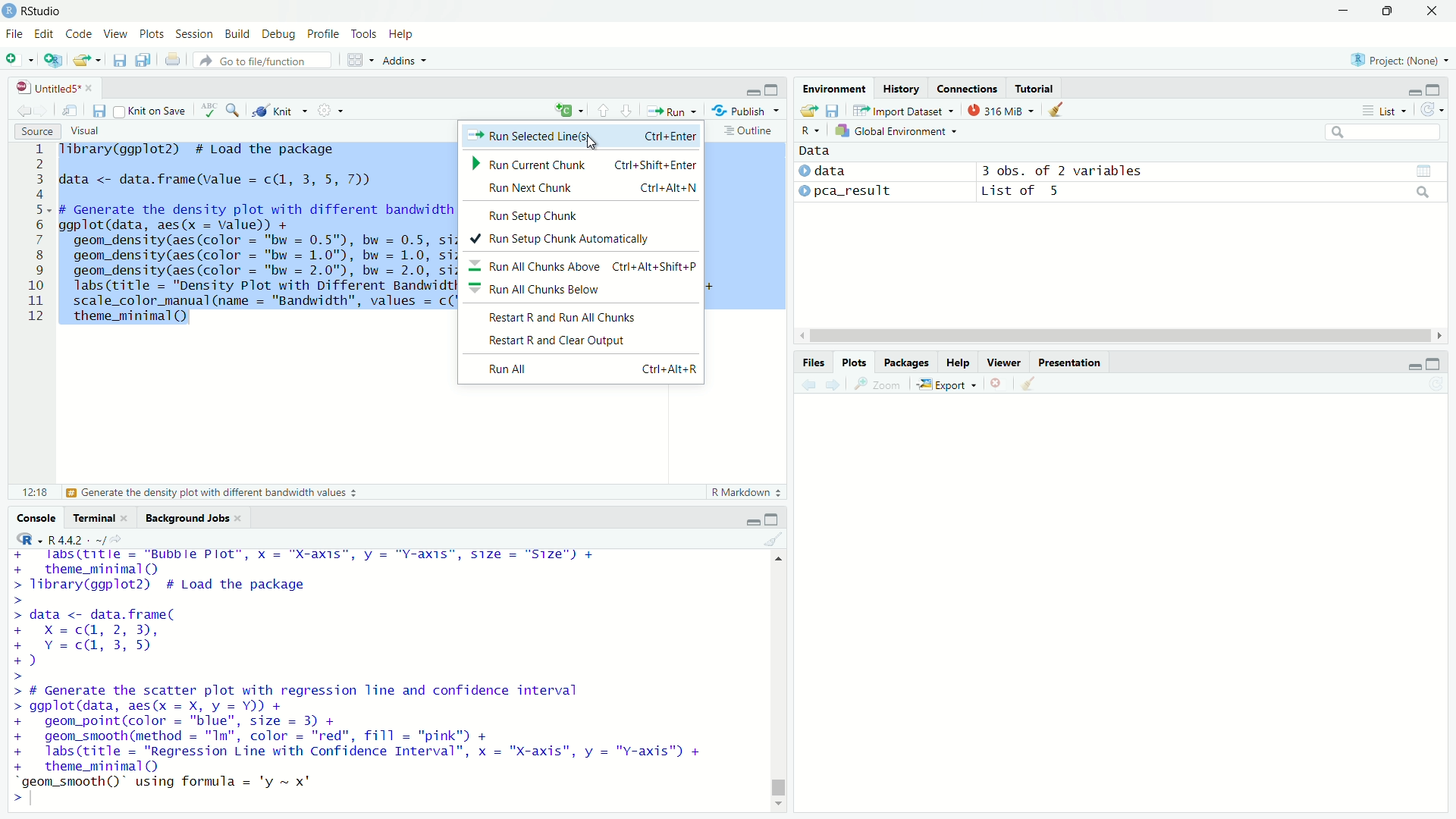 The image size is (1456, 819). What do you see at coordinates (1431, 109) in the screenshot?
I see `Refresh the list of objects in the environment` at bounding box center [1431, 109].